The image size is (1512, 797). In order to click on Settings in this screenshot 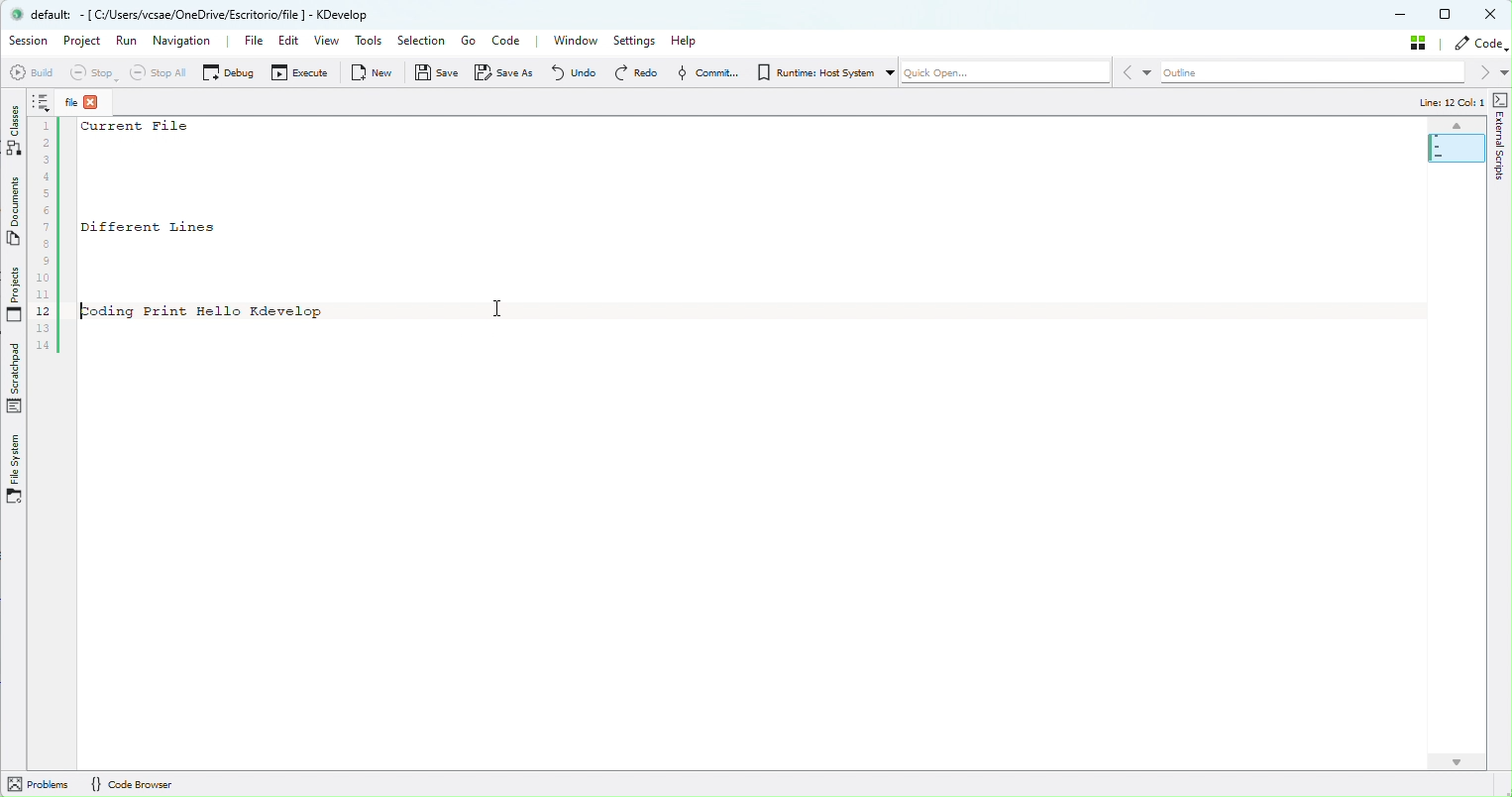, I will do `click(633, 40)`.